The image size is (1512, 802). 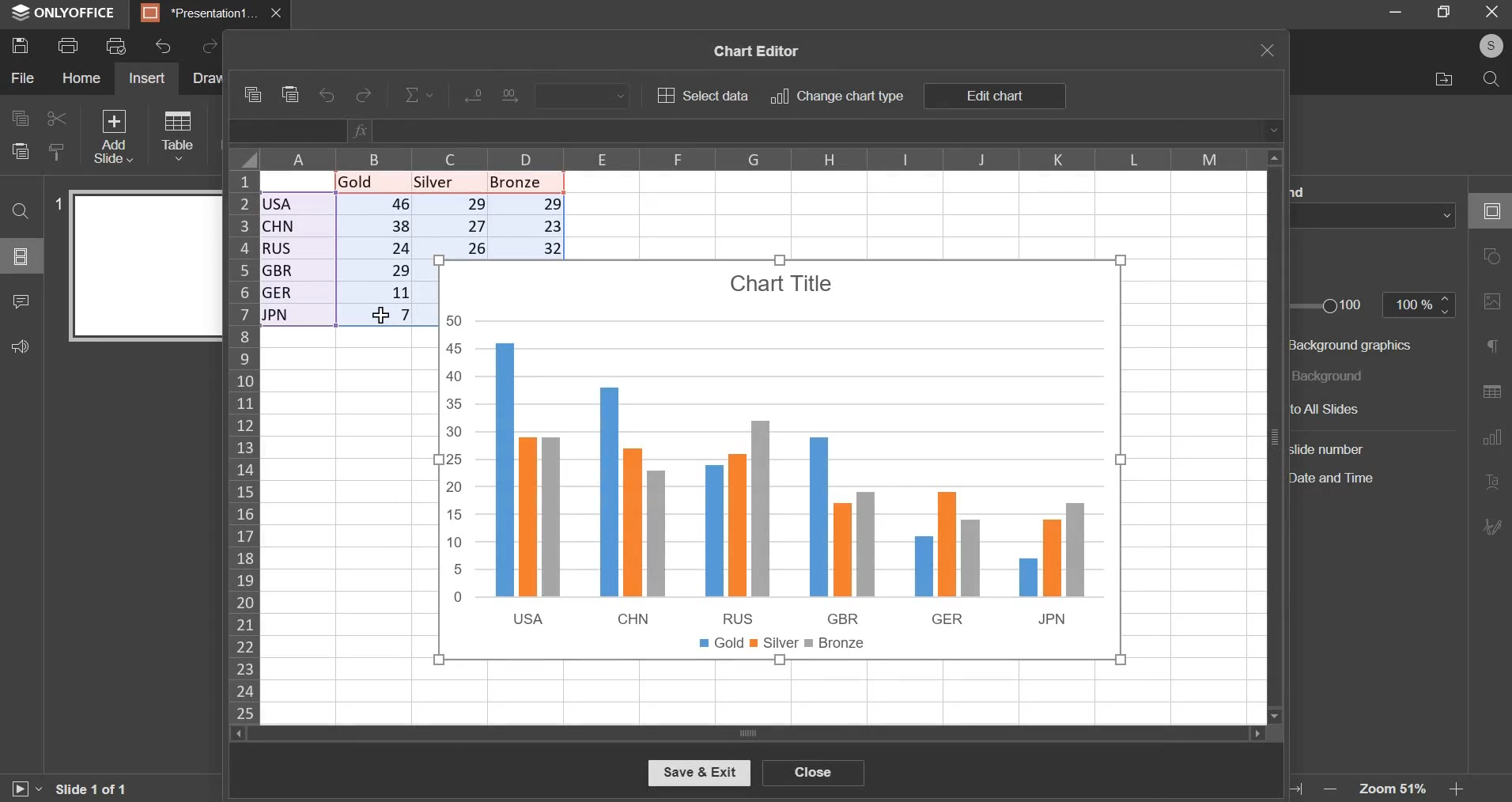 What do you see at coordinates (1336, 375) in the screenshot?
I see `background` at bounding box center [1336, 375].